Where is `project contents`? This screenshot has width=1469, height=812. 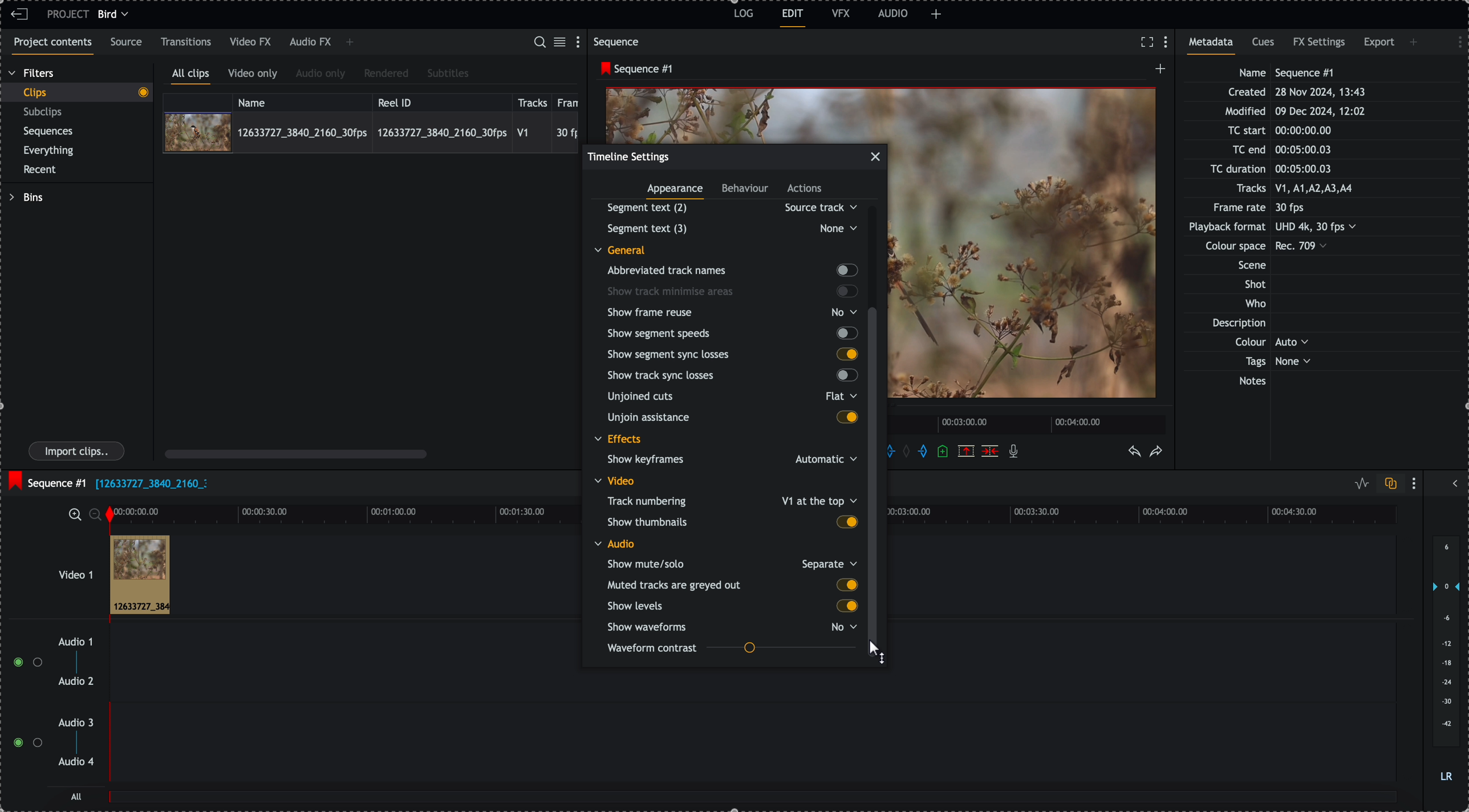 project contents is located at coordinates (50, 46).